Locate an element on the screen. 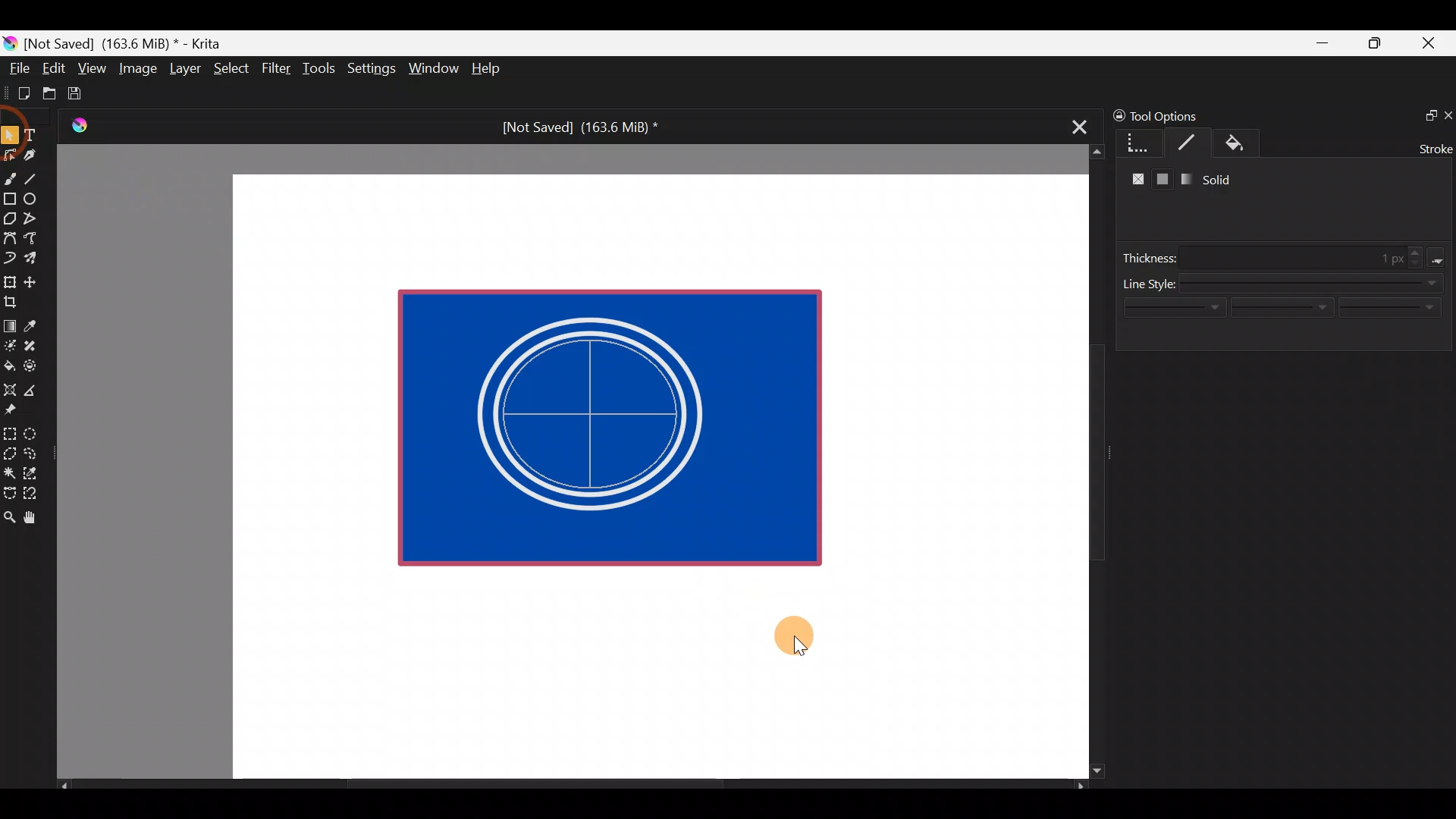  Thickness is located at coordinates (1288, 257).